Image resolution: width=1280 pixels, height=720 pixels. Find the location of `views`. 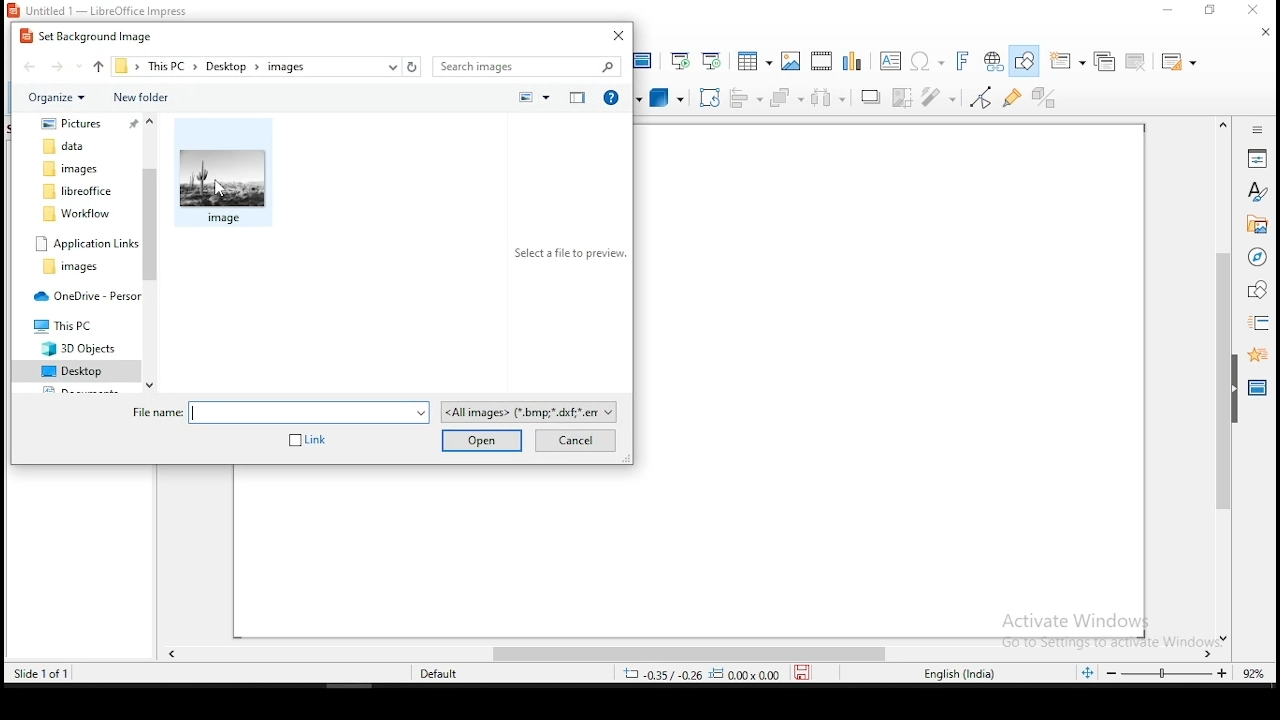

views is located at coordinates (538, 98).